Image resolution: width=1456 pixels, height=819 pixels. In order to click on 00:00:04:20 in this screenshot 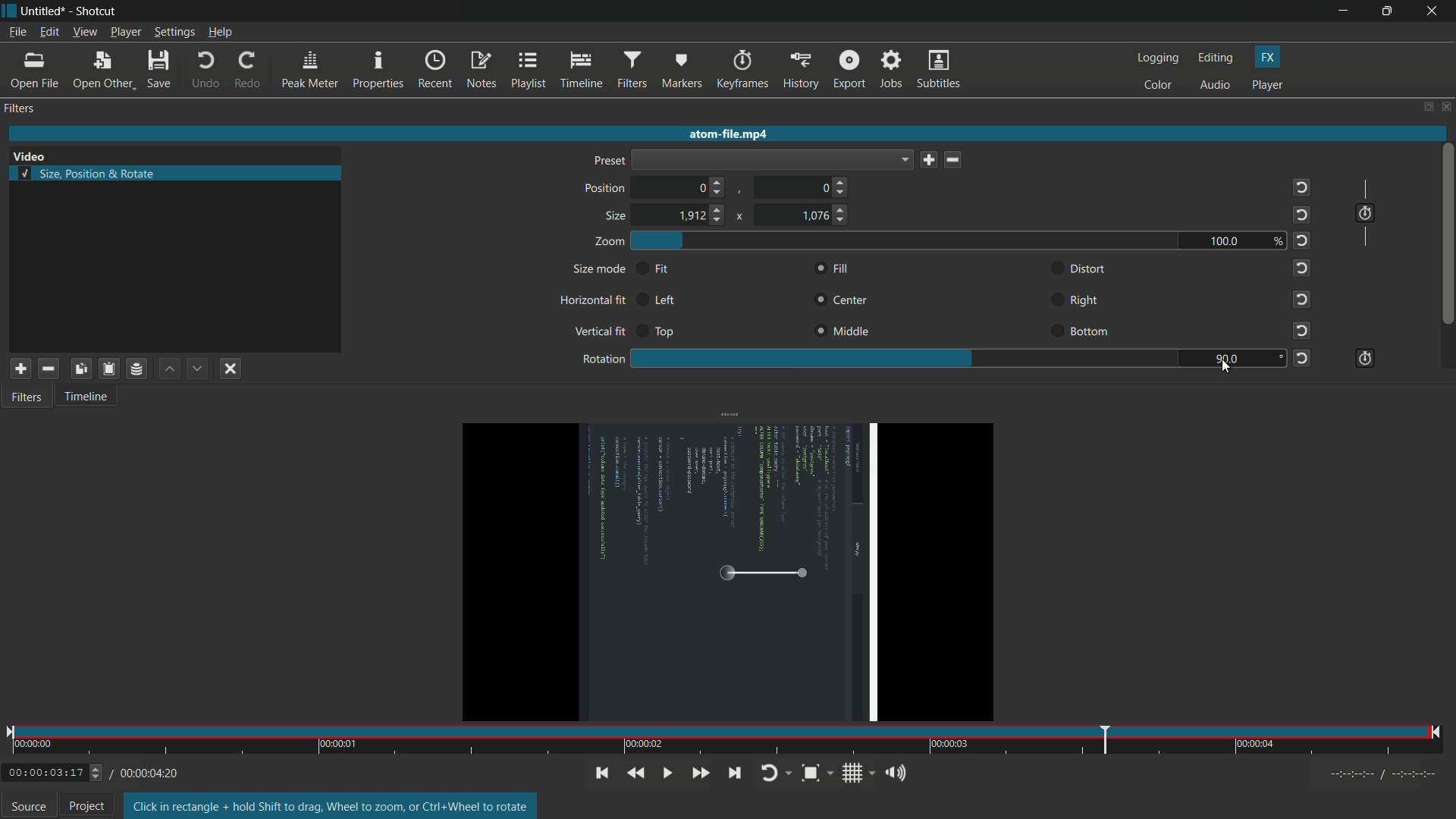, I will do `click(145, 774)`.